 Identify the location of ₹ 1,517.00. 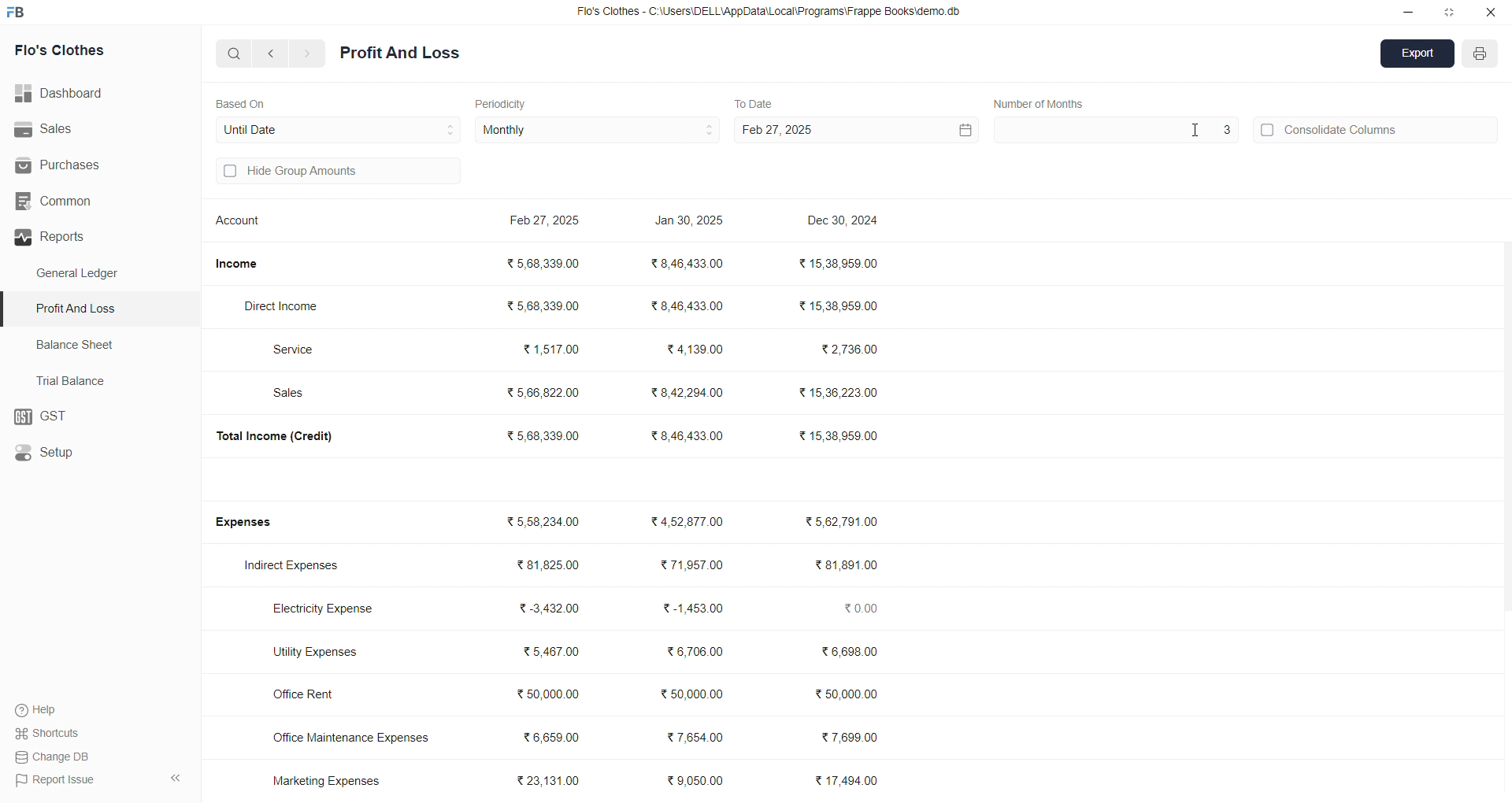
(551, 348).